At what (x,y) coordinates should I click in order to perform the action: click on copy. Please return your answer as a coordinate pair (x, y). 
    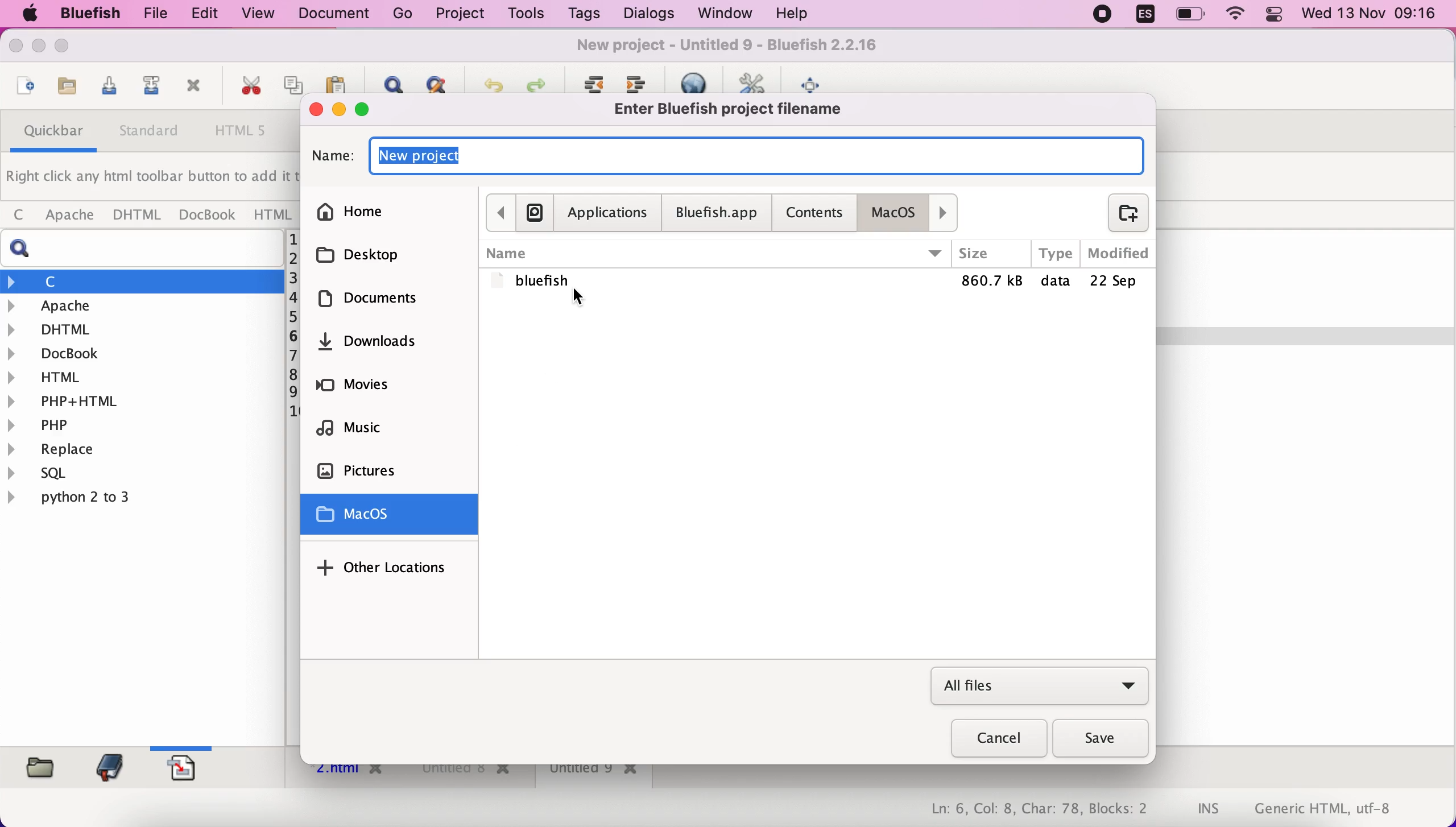
    Looking at the image, I should click on (295, 80).